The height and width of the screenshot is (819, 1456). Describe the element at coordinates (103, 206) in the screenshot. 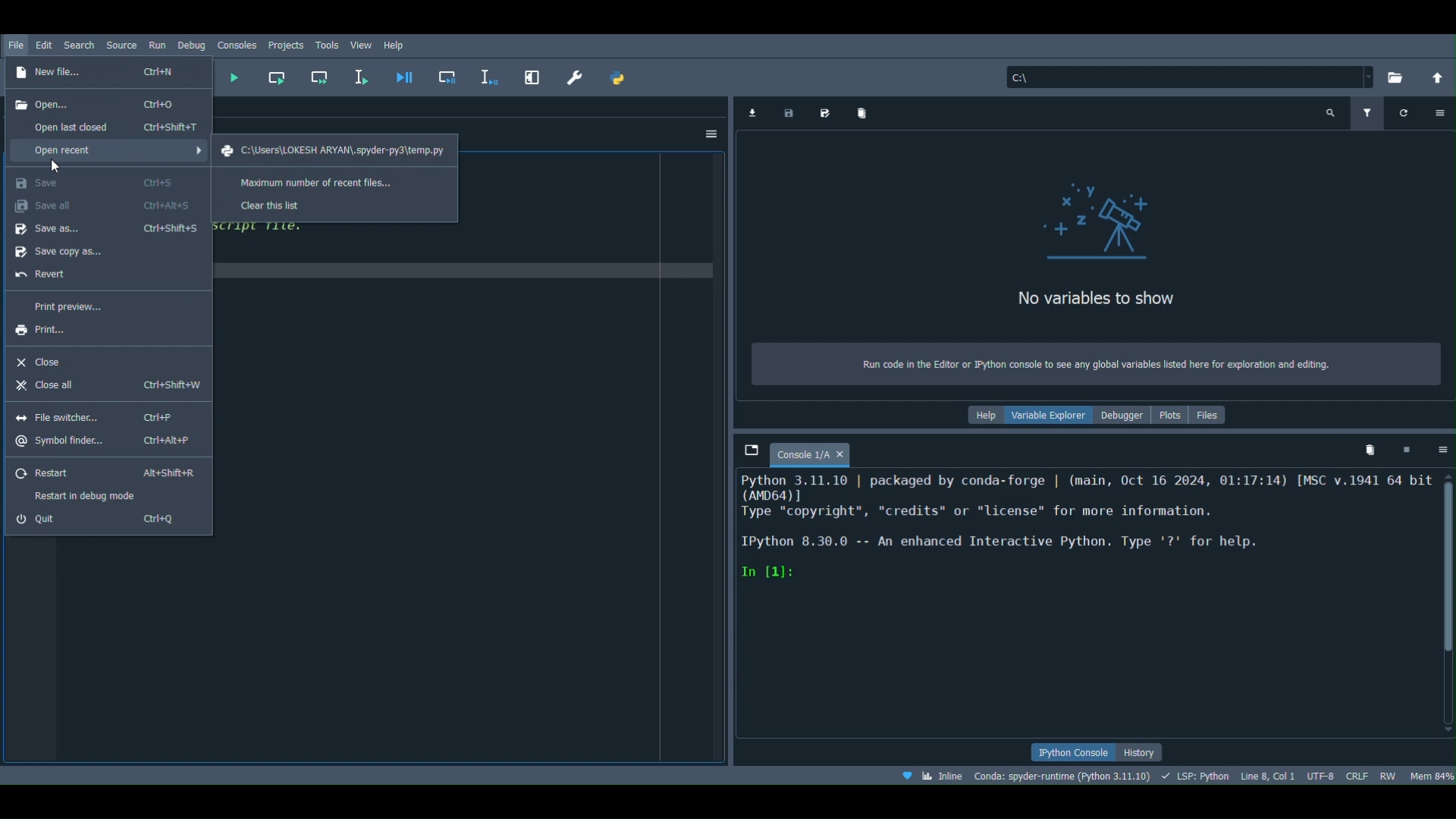

I see `Save all` at that location.